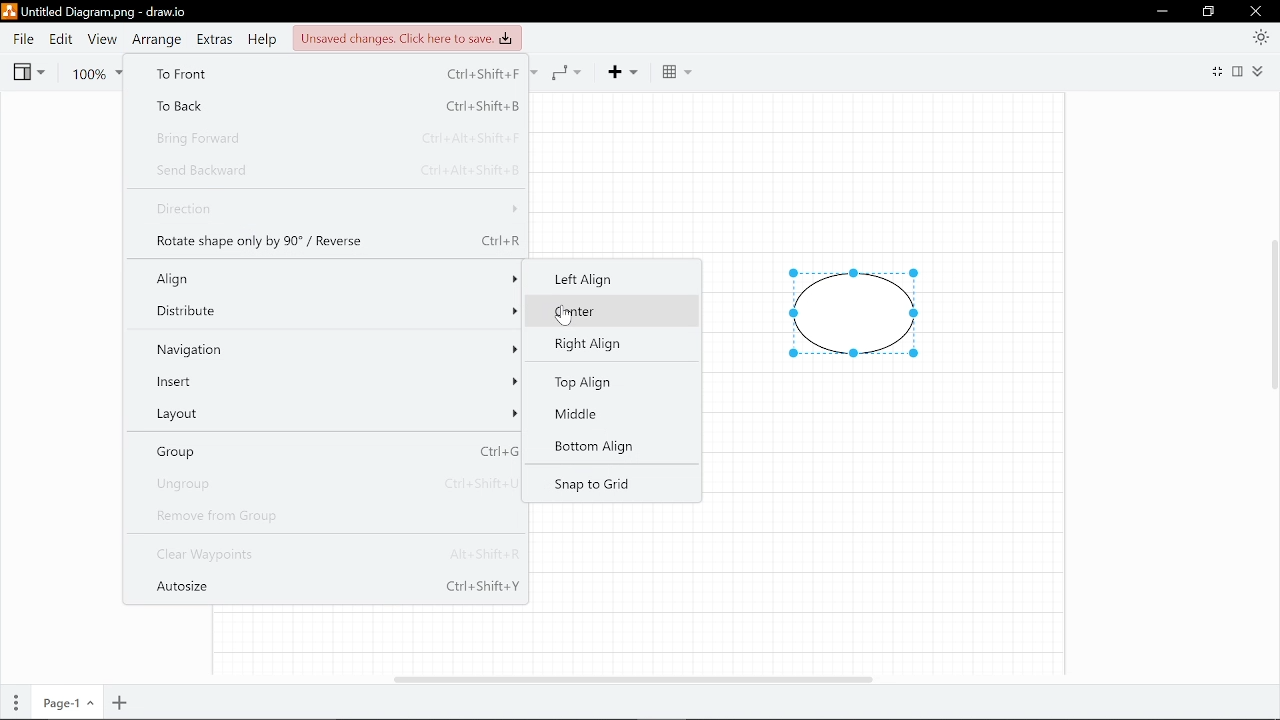  Describe the element at coordinates (1262, 36) in the screenshot. I see `Appearance` at that location.